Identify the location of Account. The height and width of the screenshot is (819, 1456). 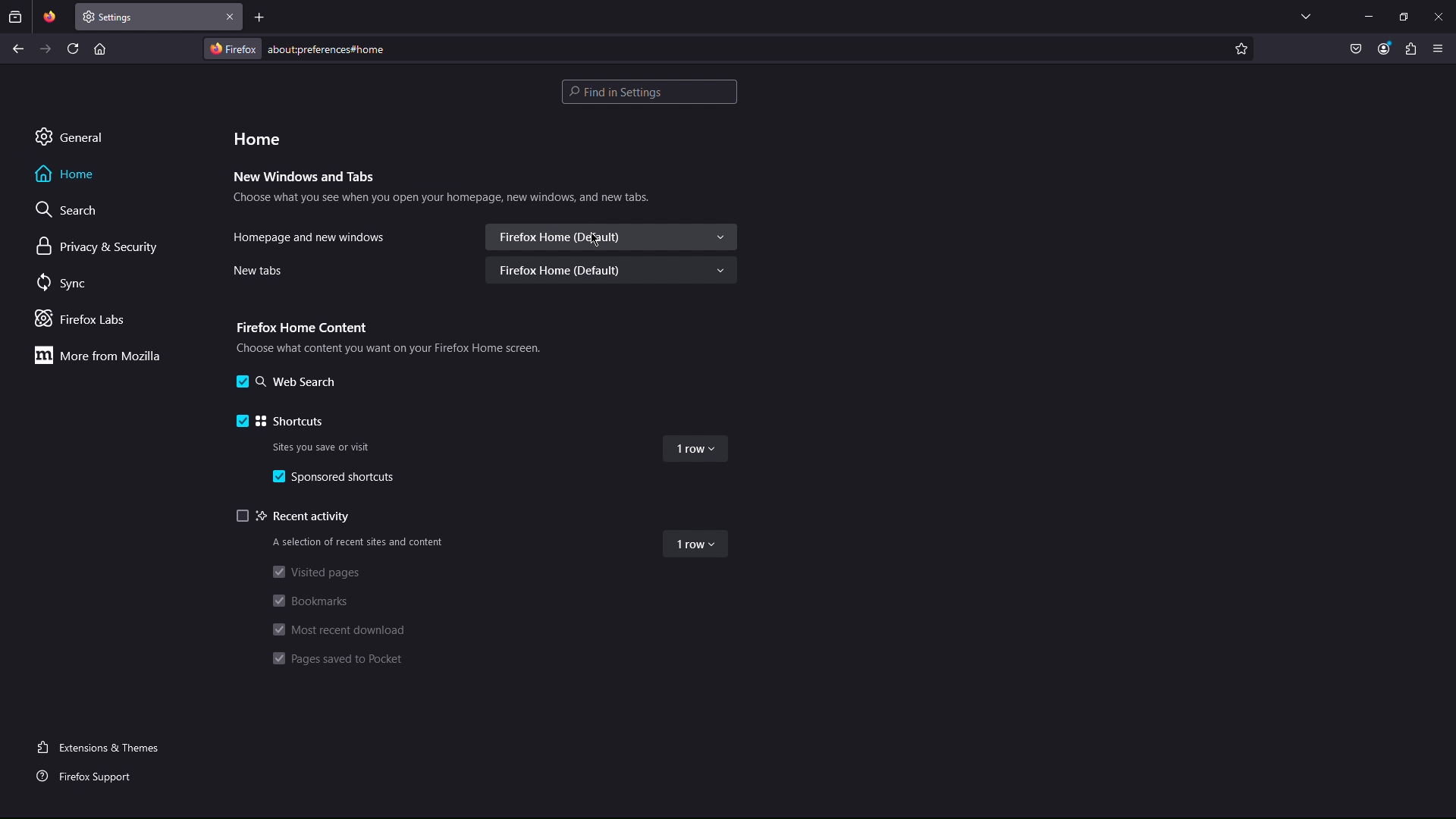
(1384, 50).